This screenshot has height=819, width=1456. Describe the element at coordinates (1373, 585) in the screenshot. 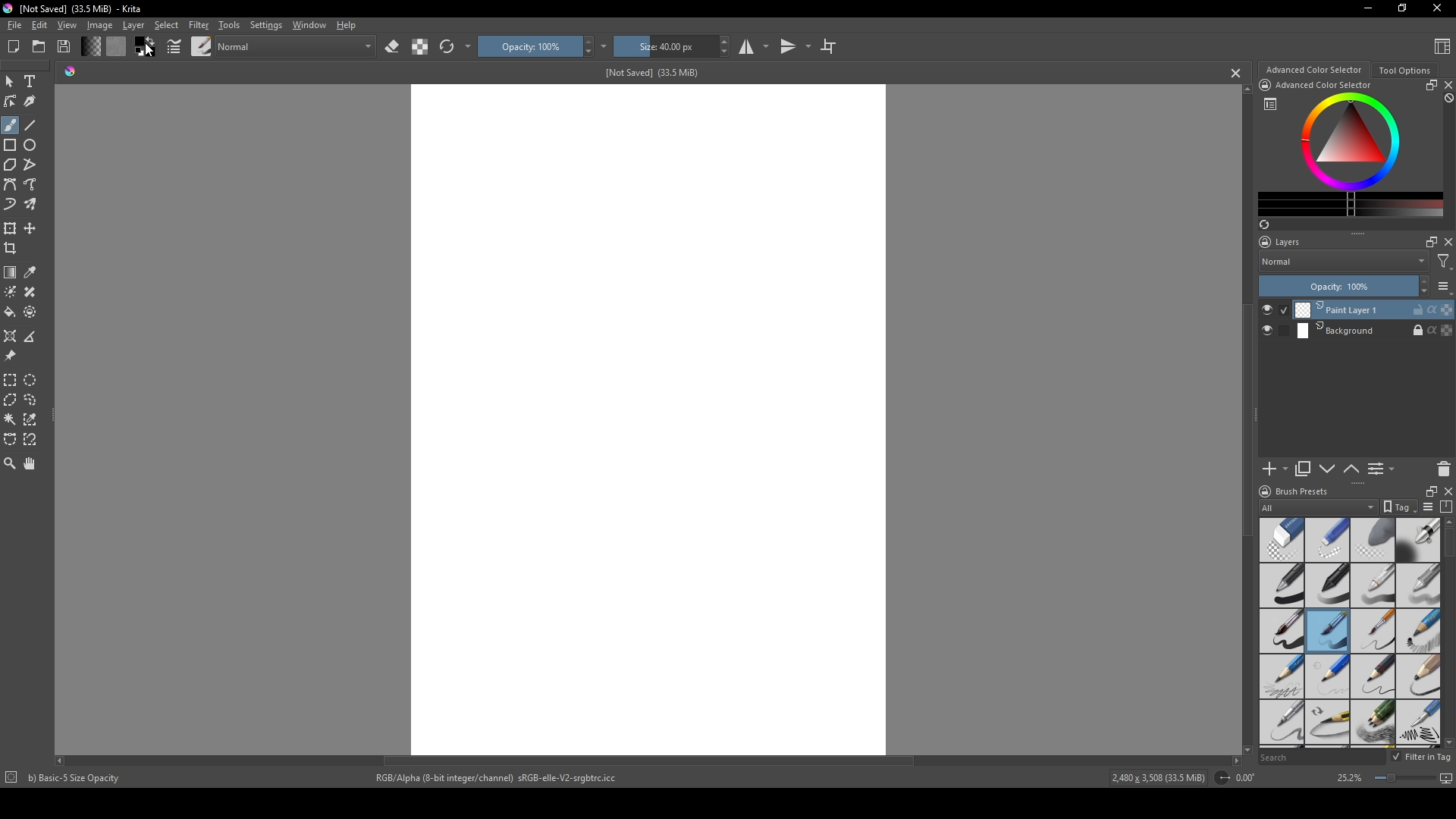

I see `white pen` at that location.